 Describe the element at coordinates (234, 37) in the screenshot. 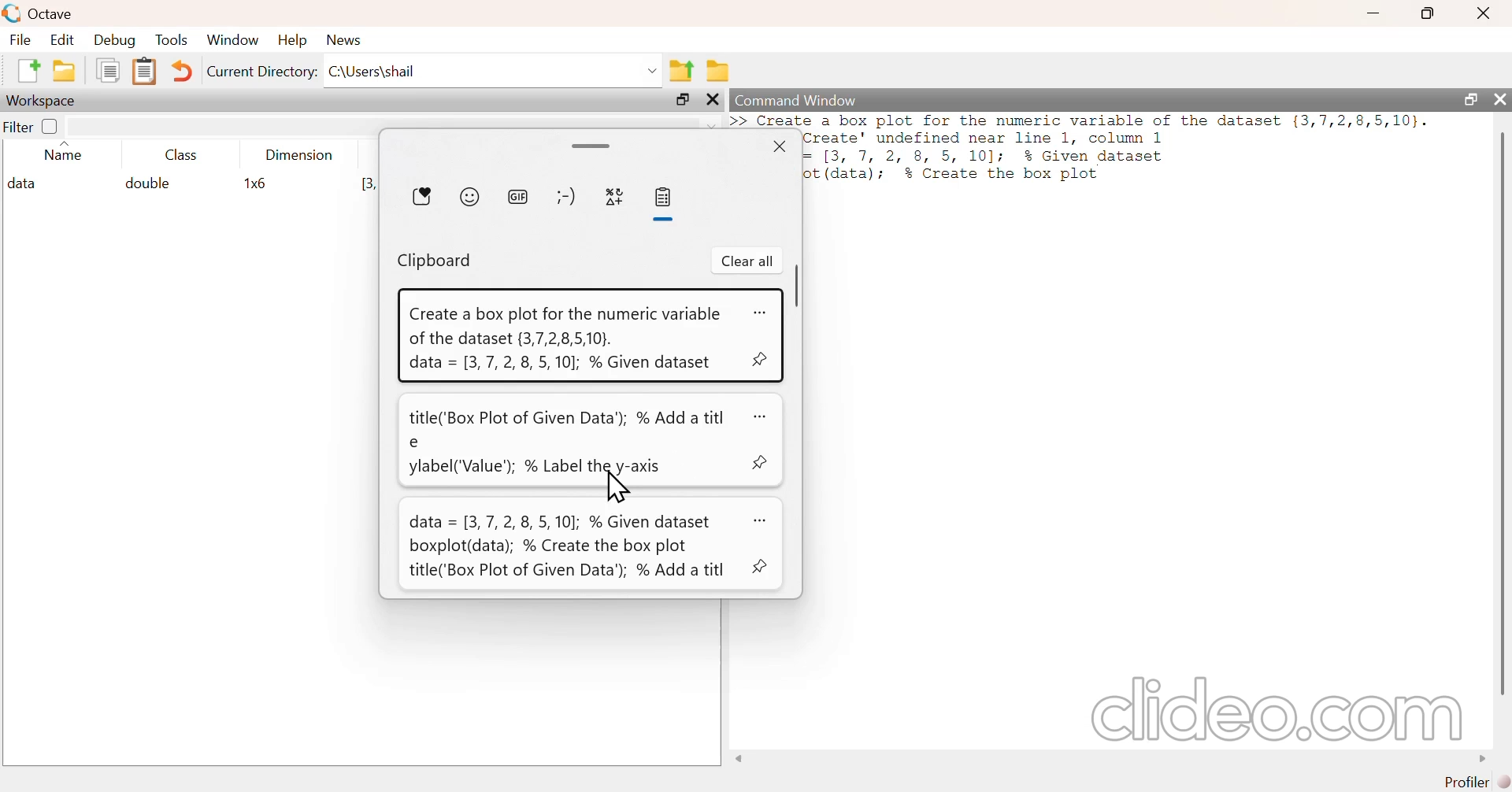

I see `window` at that location.